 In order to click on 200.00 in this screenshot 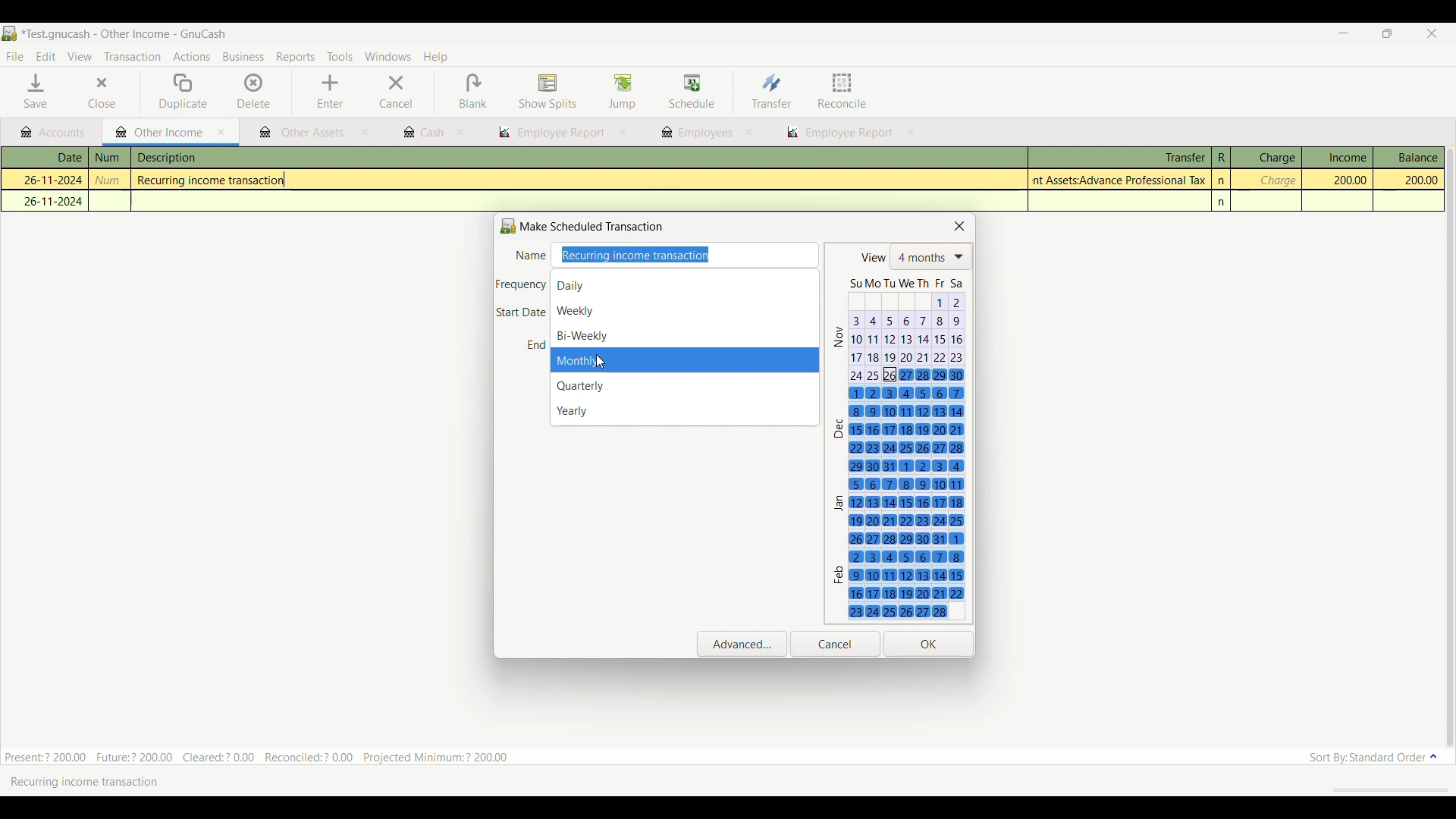, I will do `click(1409, 180)`.